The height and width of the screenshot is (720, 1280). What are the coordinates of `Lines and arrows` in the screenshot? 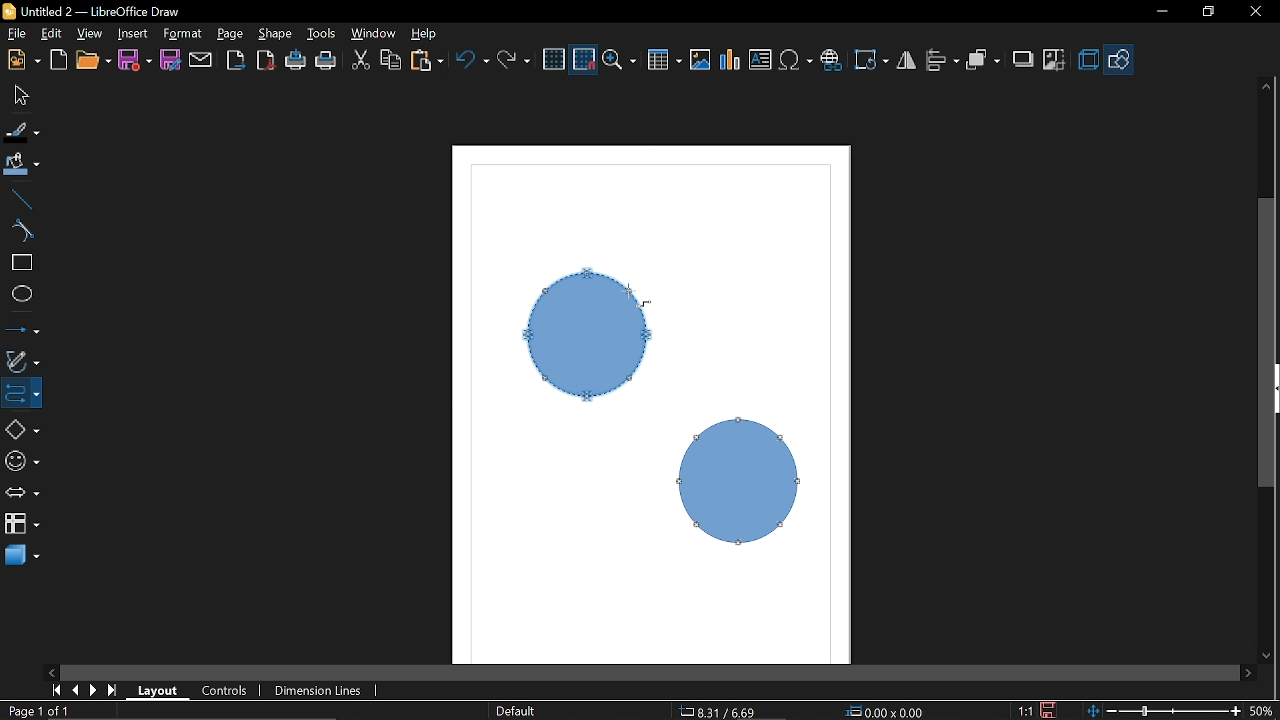 It's located at (22, 330).